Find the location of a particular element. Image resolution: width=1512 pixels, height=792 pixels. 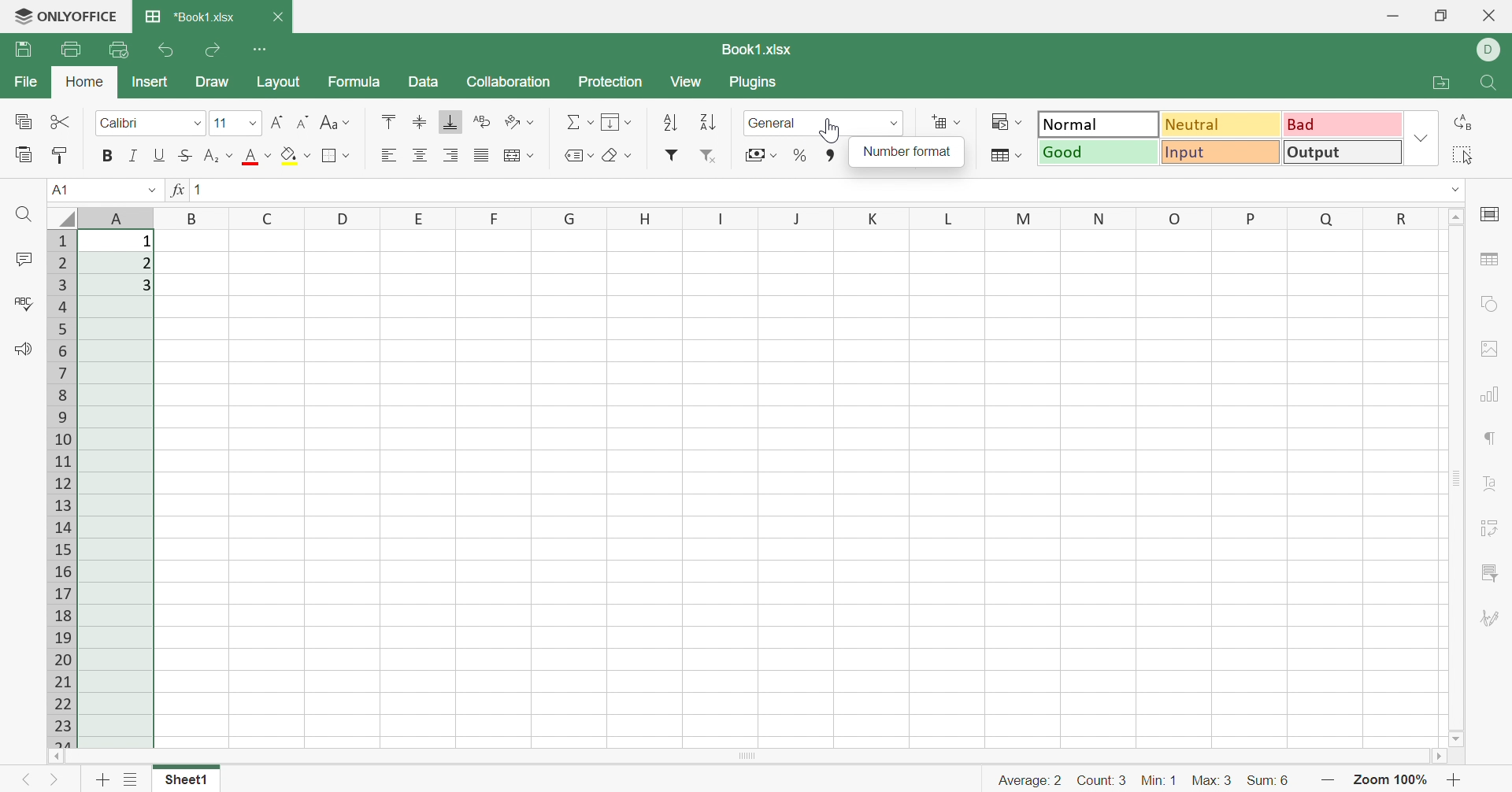

Scroll up is located at coordinates (1455, 217).